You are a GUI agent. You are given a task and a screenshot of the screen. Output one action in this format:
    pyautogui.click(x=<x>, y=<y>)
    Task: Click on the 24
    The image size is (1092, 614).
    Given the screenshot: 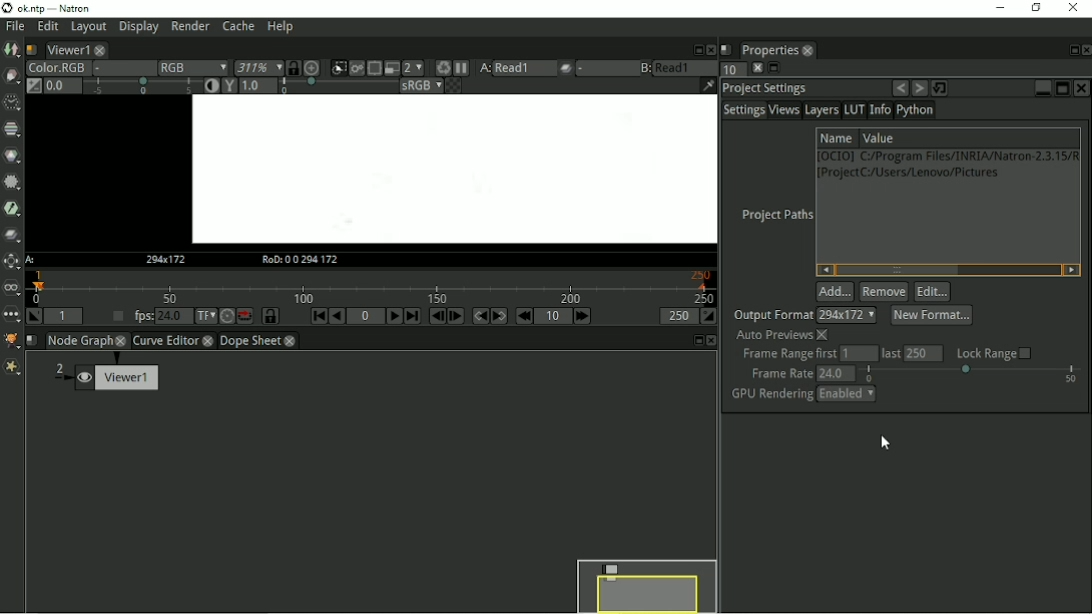 What is the action you would take?
    pyautogui.click(x=836, y=373)
    